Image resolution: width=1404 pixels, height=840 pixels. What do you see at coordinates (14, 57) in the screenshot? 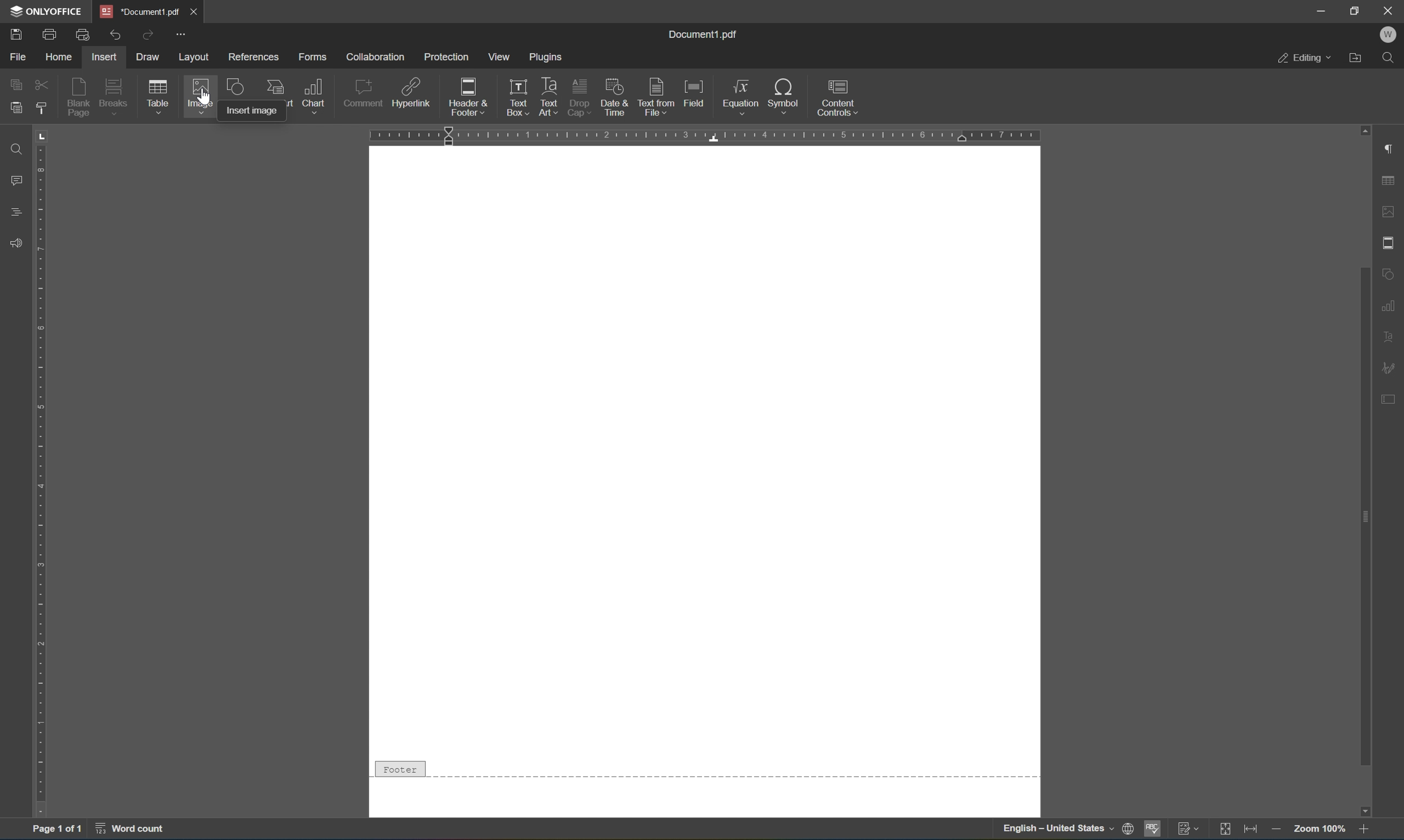
I see `file` at bounding box center [14, 57].